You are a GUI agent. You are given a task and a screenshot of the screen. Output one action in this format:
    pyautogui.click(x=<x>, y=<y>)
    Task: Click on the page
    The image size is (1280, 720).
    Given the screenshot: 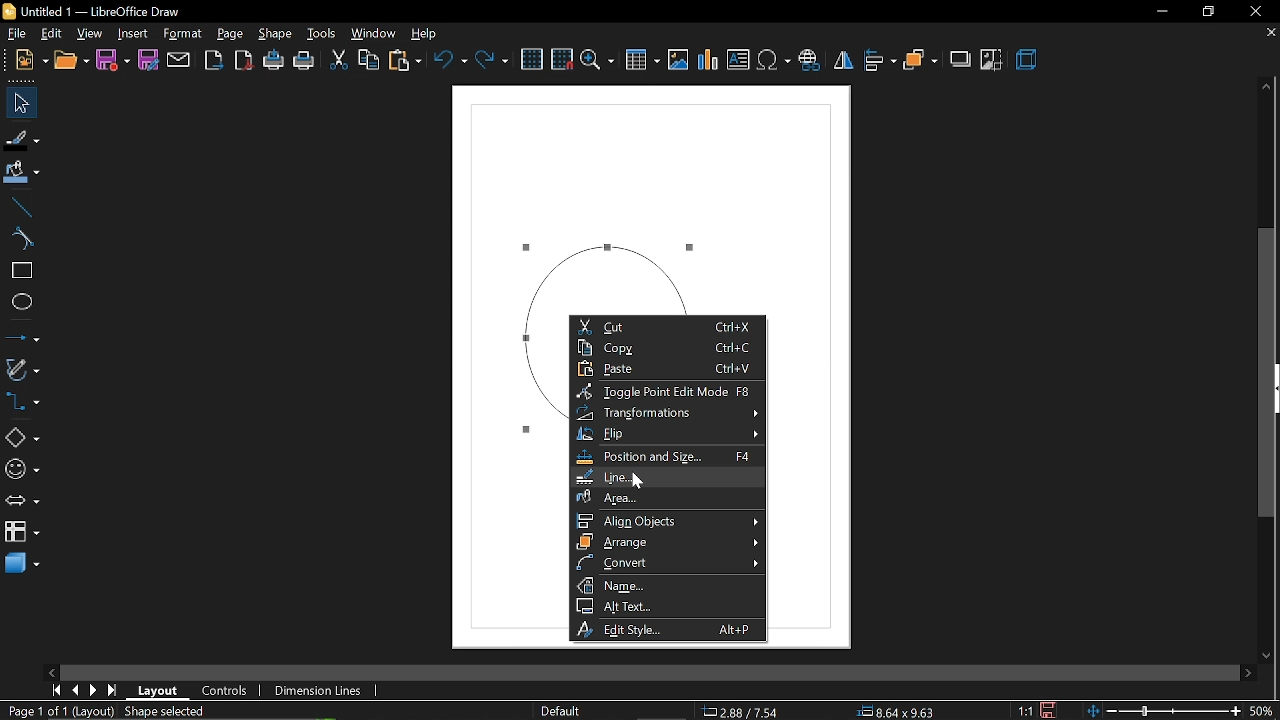 What is the action you would take?
    pyautogui.click(x=230, y=33)
    